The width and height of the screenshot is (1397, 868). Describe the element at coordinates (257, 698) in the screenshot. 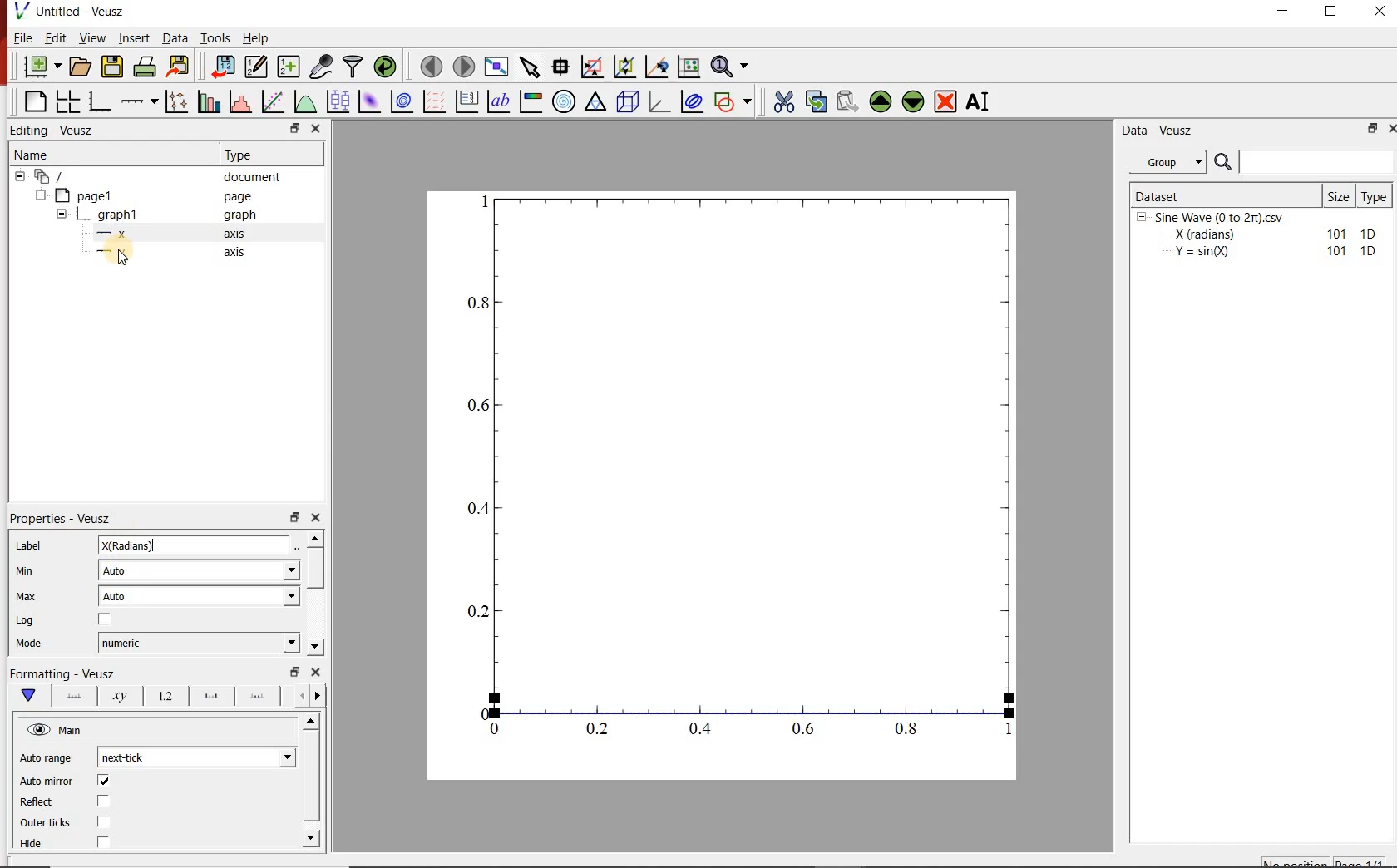

I see `options` at that location.